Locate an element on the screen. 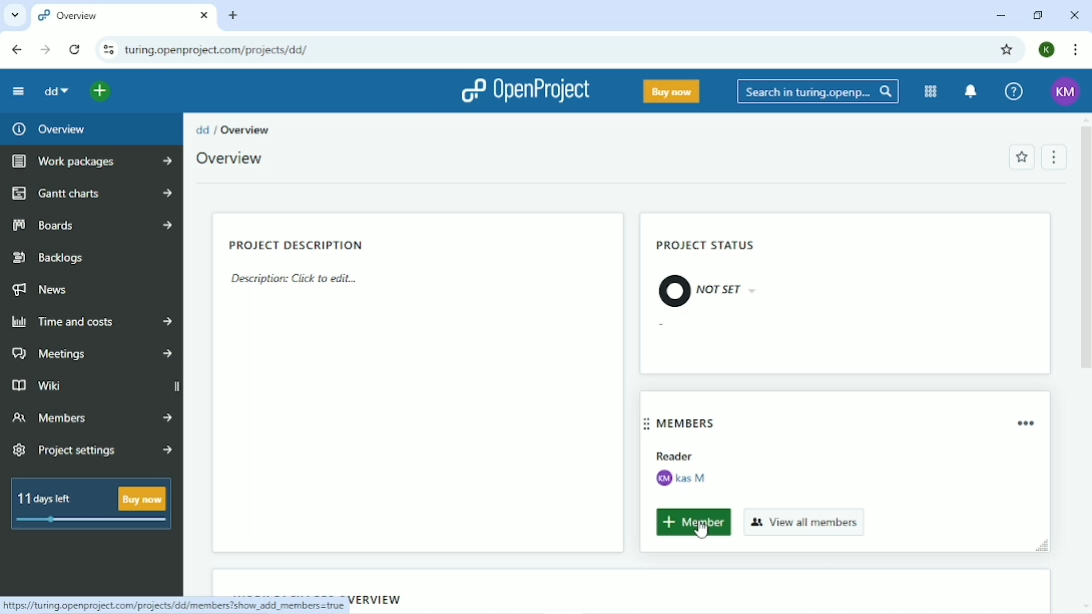 This screenshot has height=614, width=1092. New tab is located at coordinates (233, 17).